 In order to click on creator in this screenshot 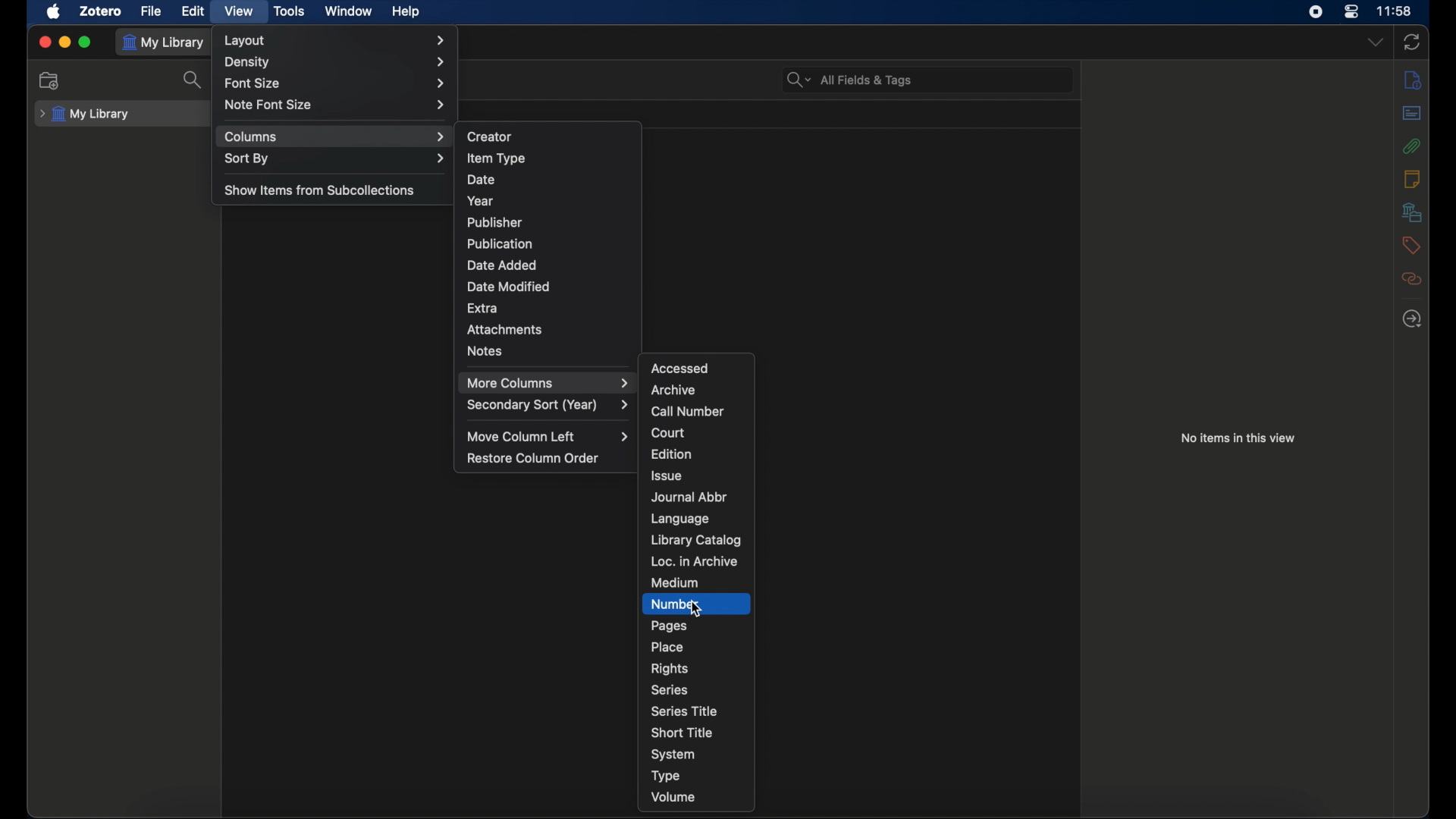, I will do `click(490, 136)`.